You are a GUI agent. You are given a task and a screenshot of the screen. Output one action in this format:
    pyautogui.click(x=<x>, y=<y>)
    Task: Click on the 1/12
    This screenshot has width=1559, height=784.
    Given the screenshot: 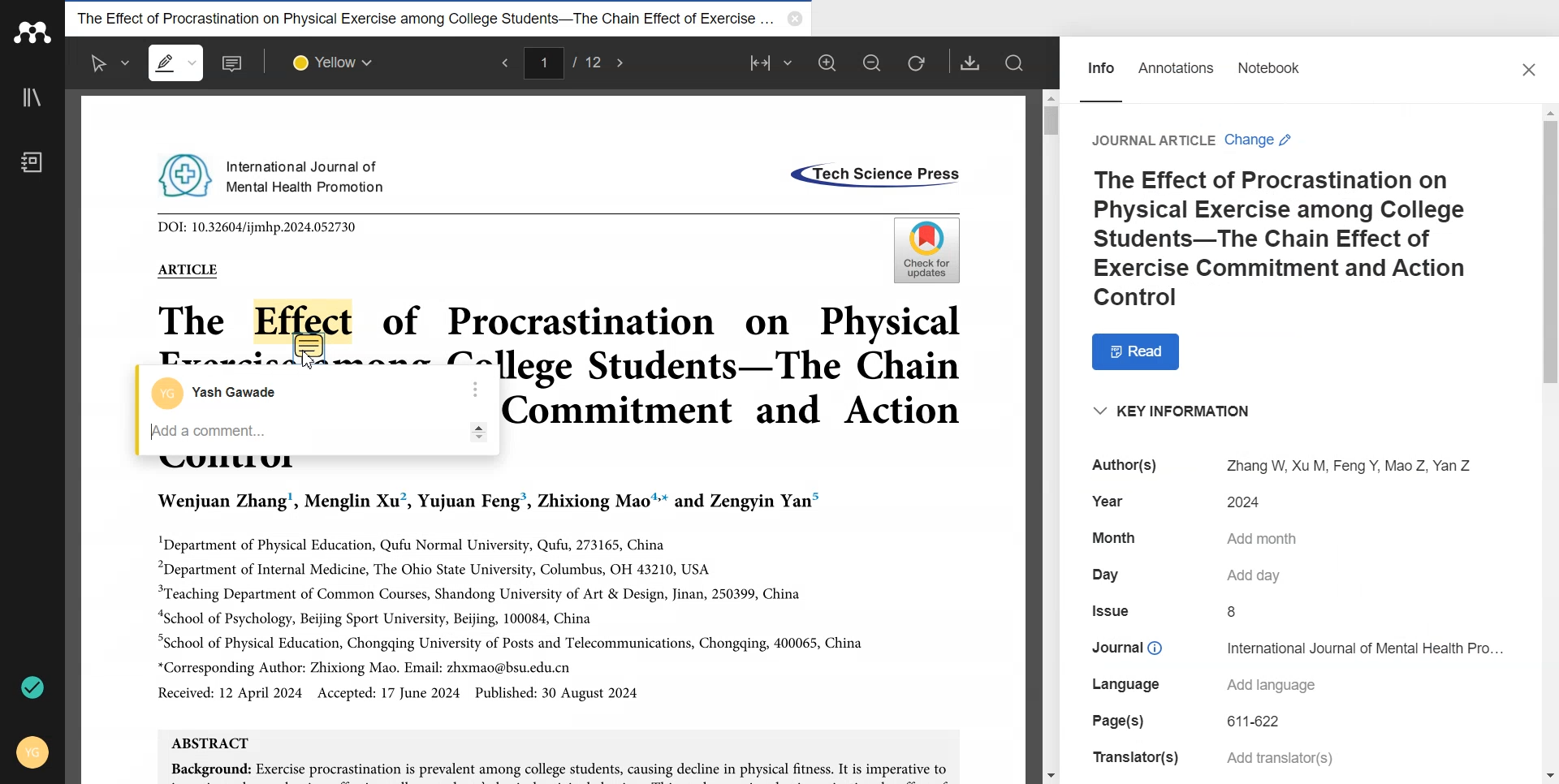 What is the action you would take?
    pyautogui.click(x=564, y=64)
    